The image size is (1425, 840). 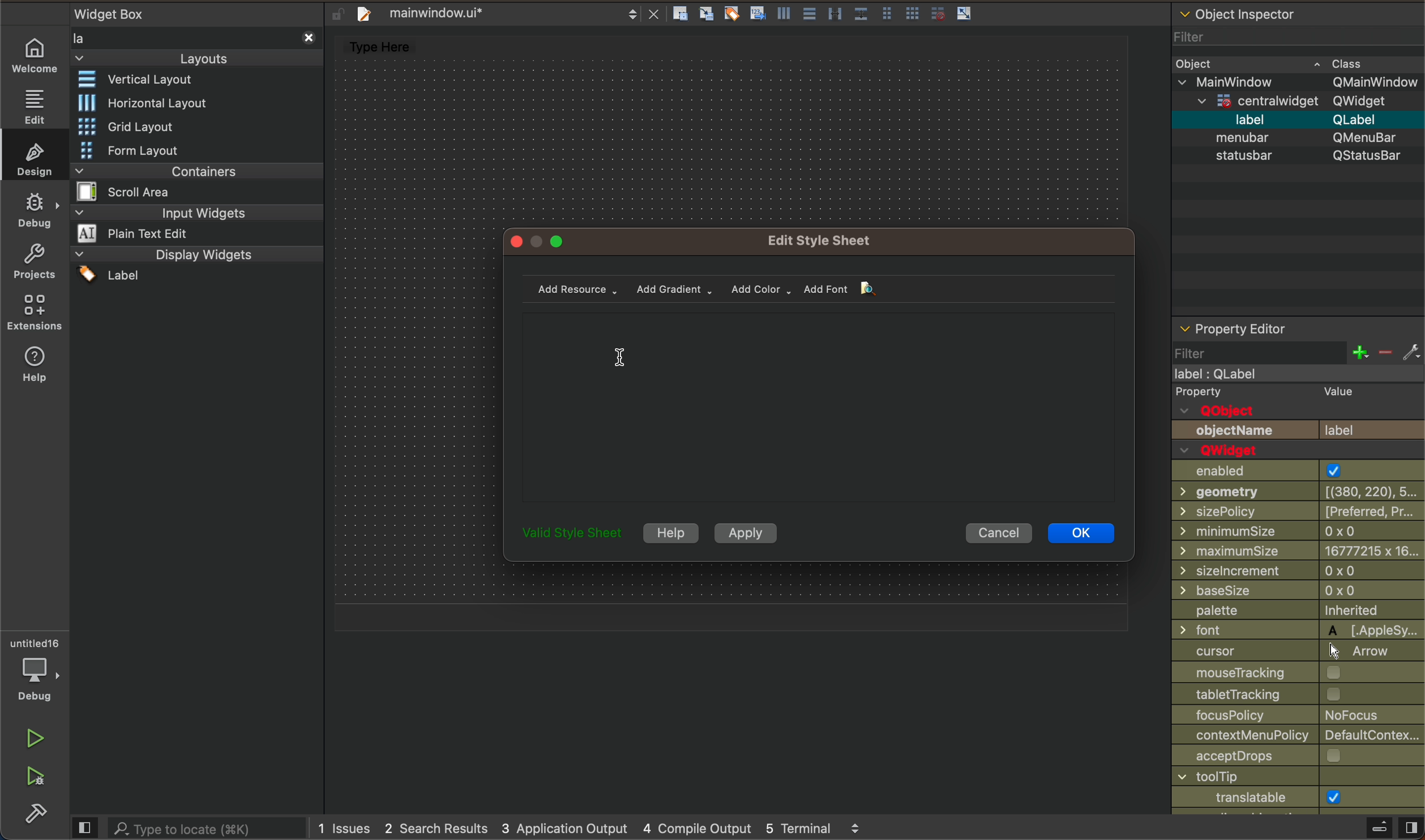 What do you see at coordinates (32, 265) in the screenshot?
I see `projects` at bounding box center [32, 265].